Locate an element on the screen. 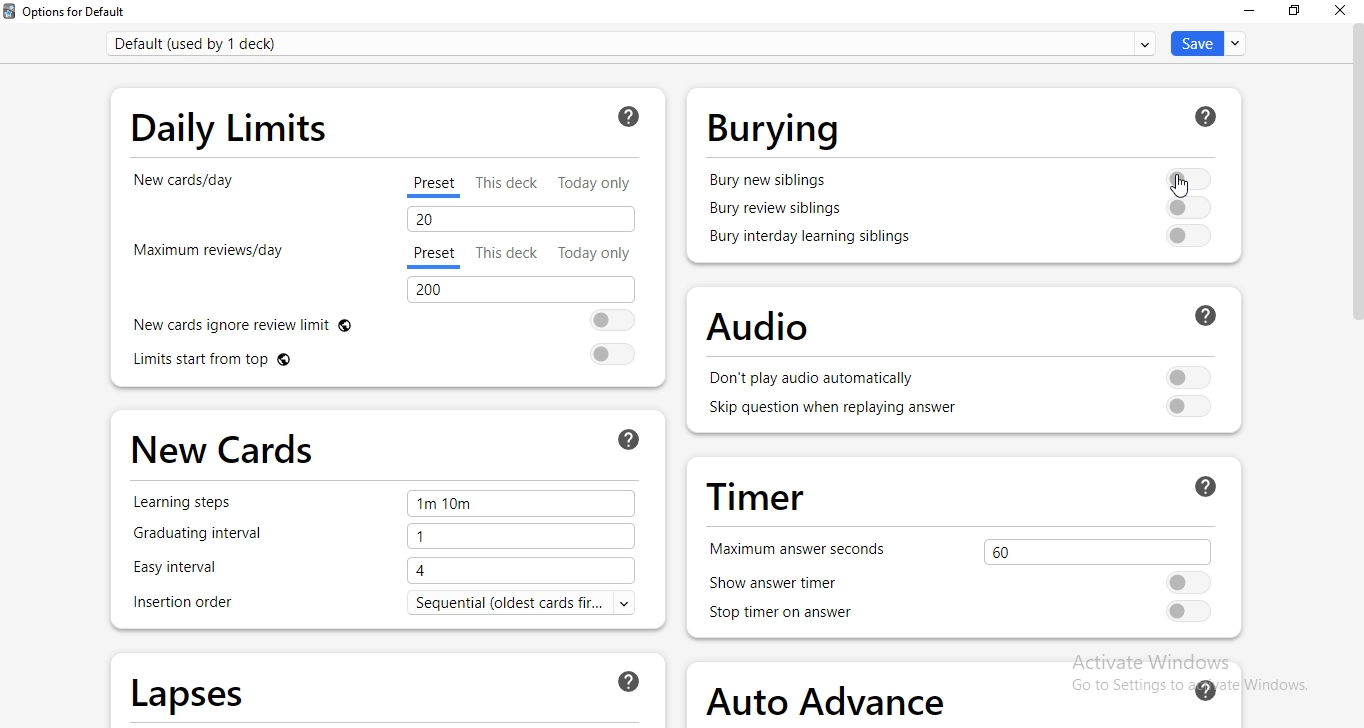  20 is located at coordinates (519, 219).